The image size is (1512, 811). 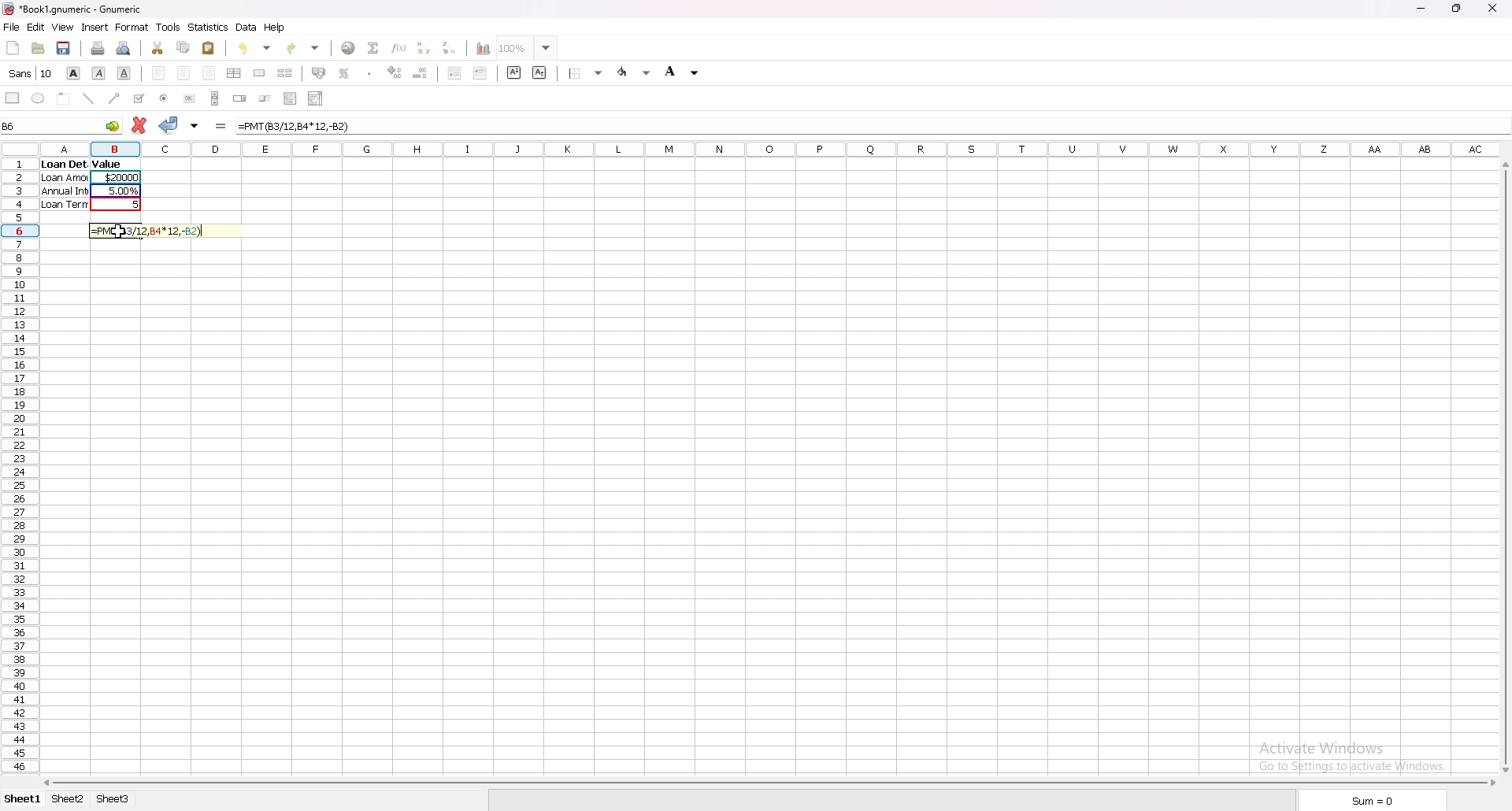 What do you see at coordinates (64, 27) in the screenshot?
I see `view` at bounding box center [64, 27].